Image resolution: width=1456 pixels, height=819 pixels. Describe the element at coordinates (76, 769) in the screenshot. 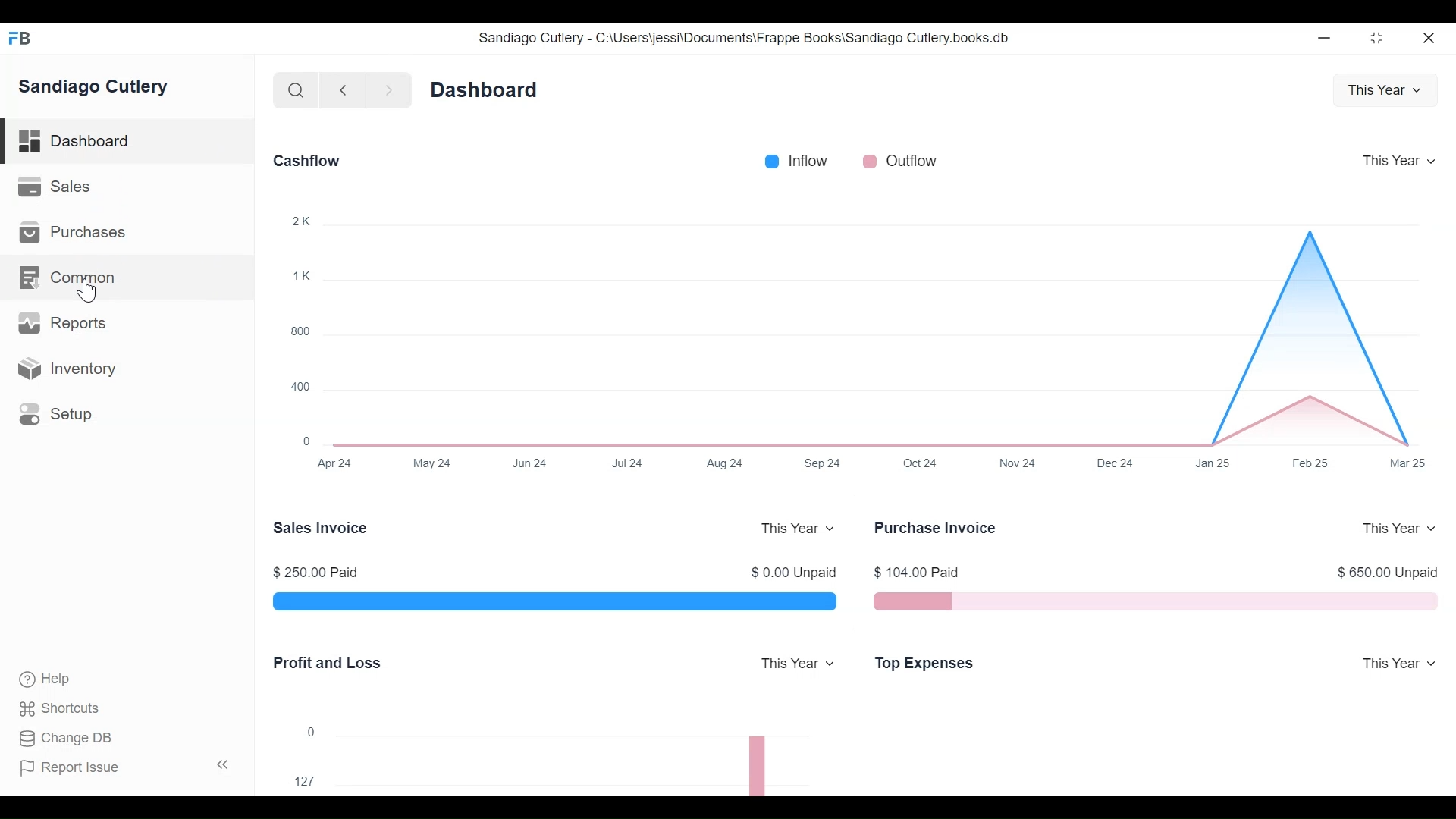

I see `Report Issue` at that location.